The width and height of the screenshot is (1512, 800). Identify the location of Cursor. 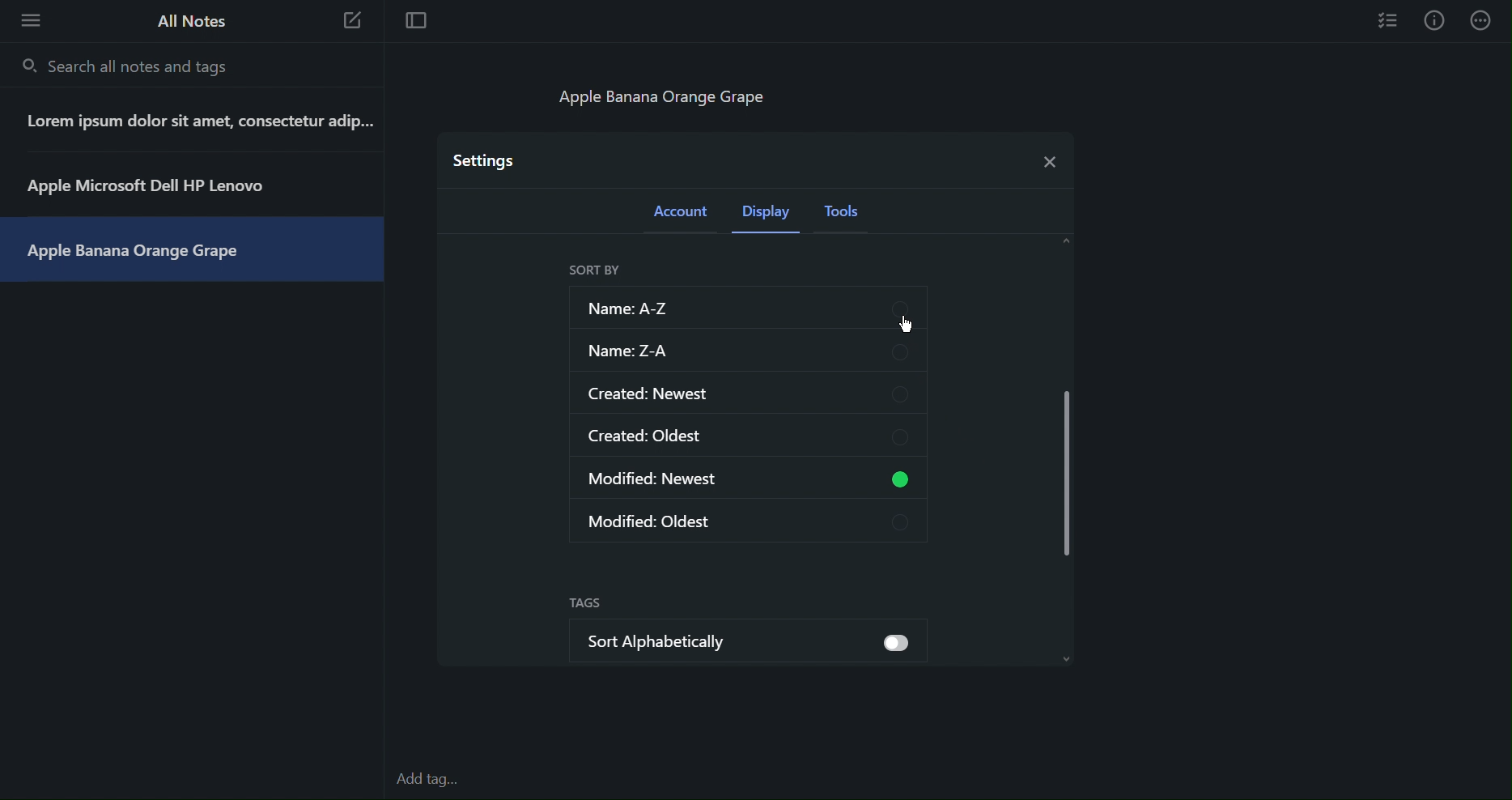
(911, 328).